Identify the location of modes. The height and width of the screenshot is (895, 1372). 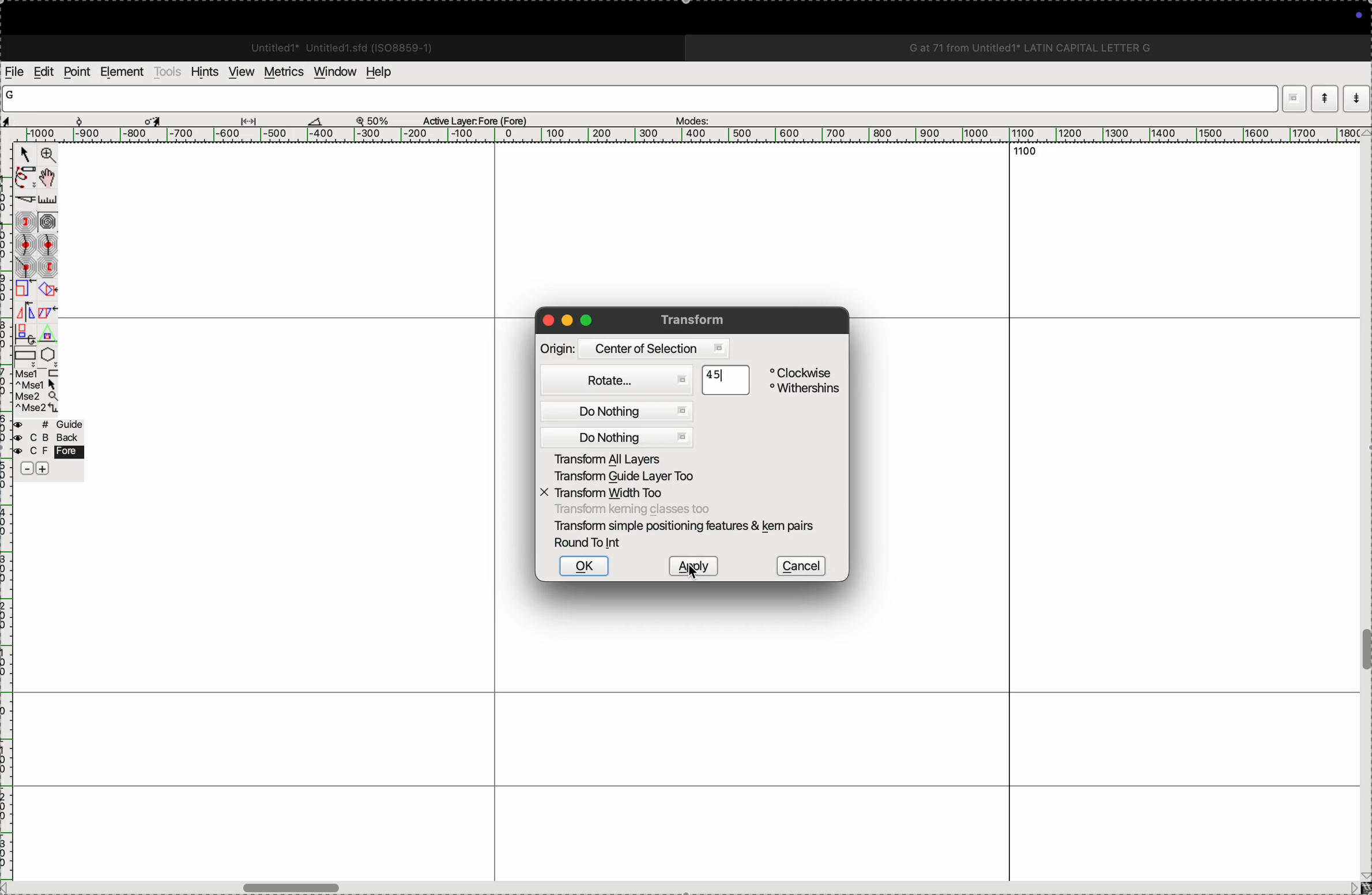
(693, 119).